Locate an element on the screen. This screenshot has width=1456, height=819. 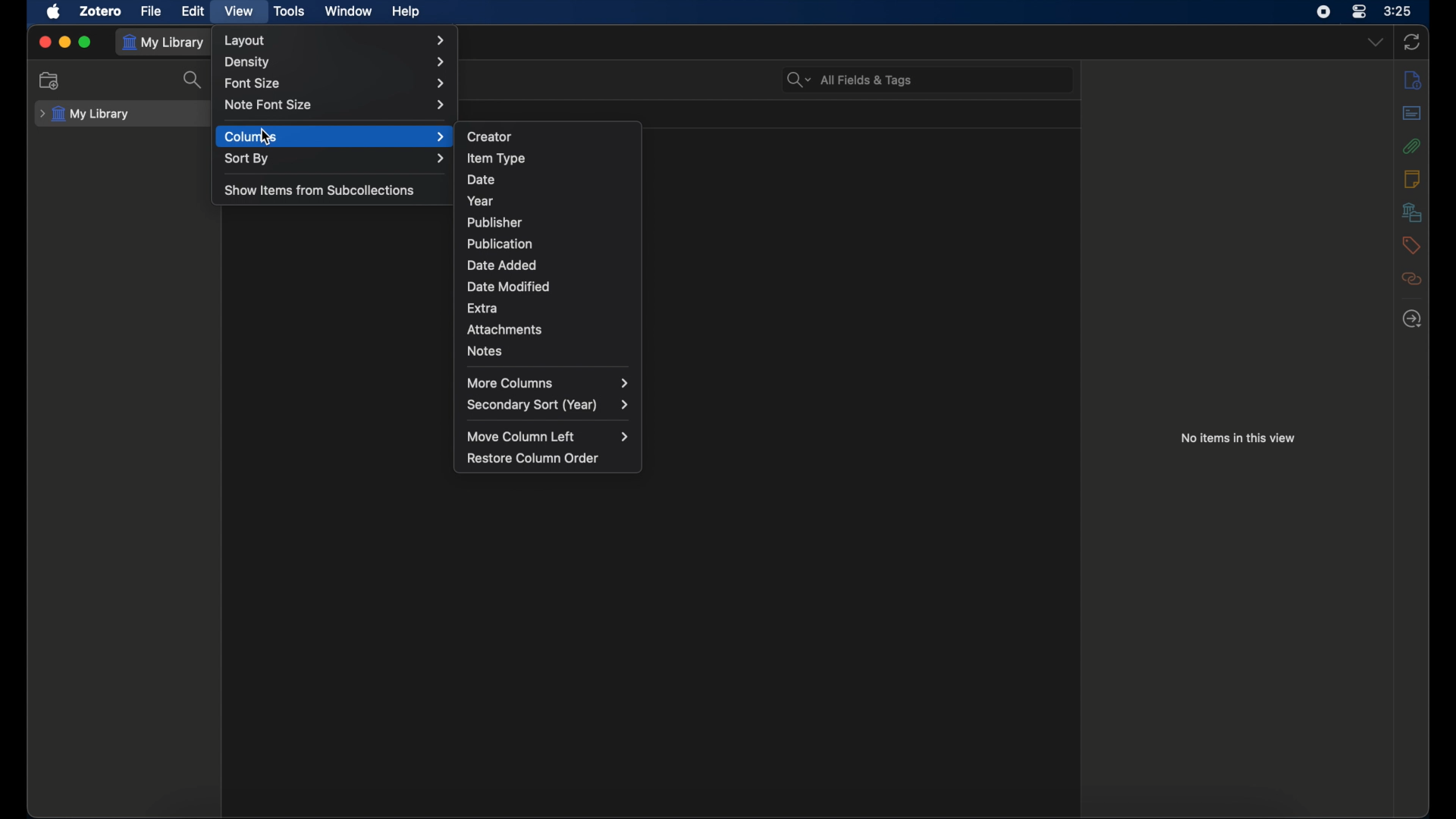
screen recorder is located at coordinates (1323, 11).